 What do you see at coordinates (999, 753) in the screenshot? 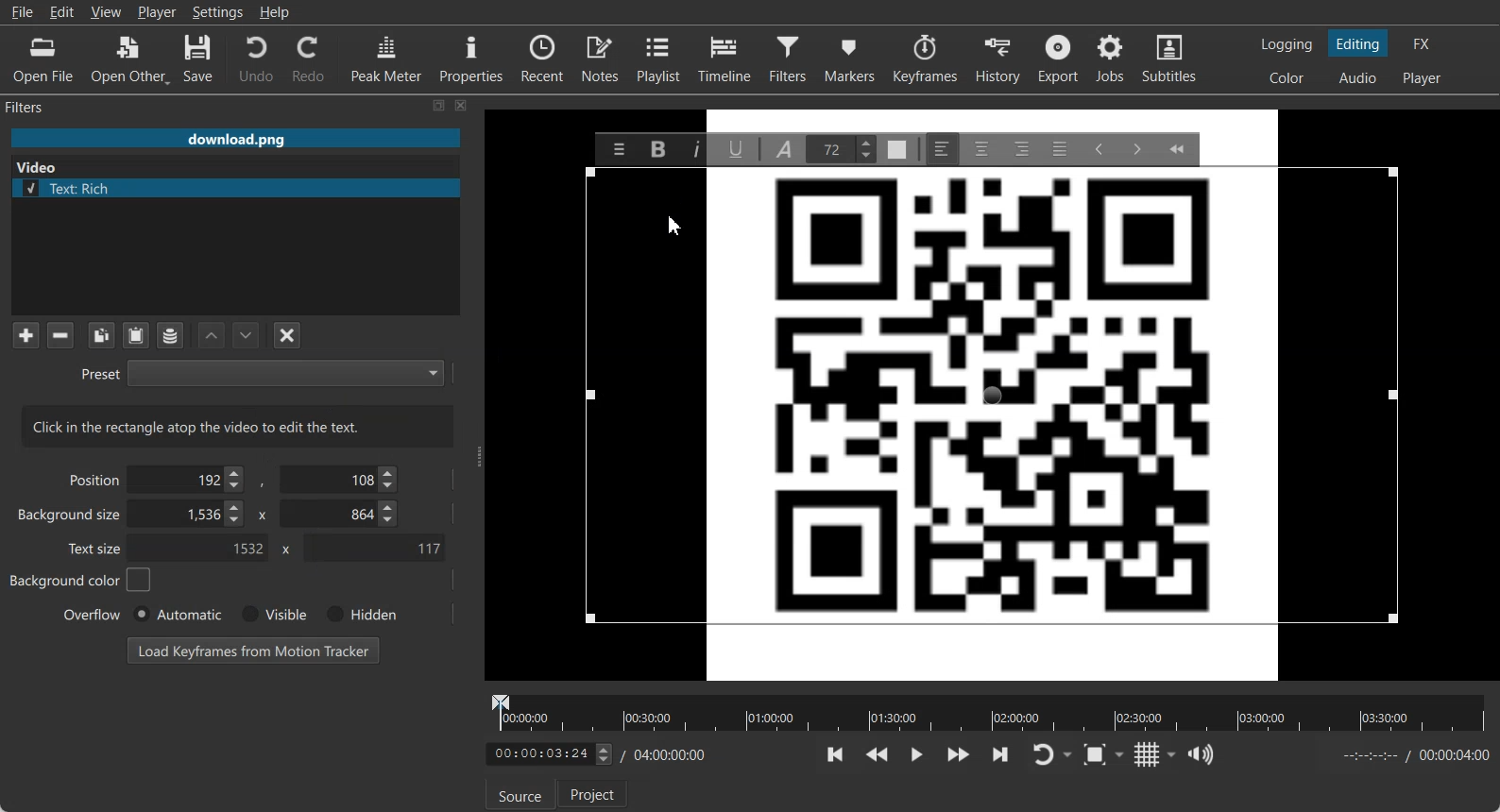
I see `Skip to the next point` at bounding box center [999, 753].